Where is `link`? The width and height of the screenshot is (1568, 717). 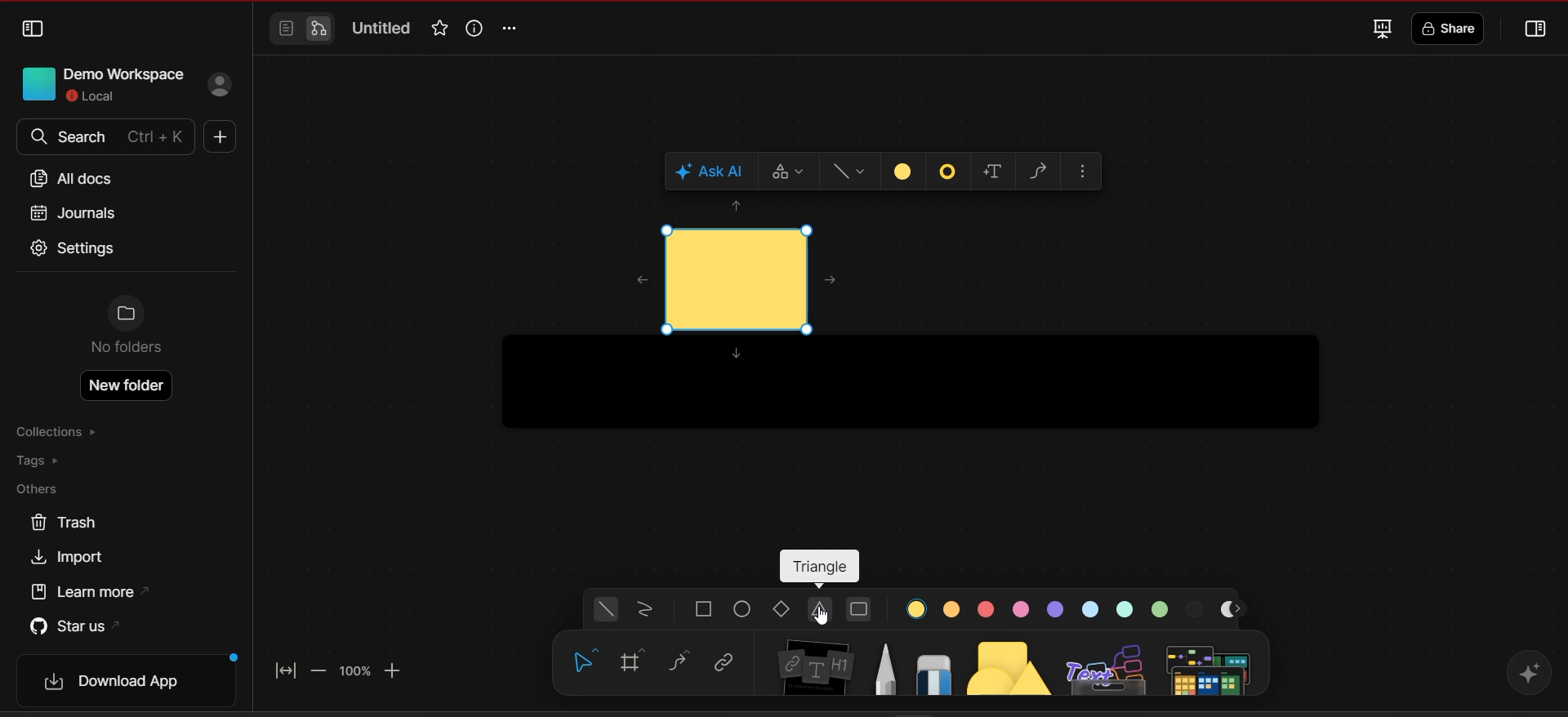 link is located at coordinates (724, 663).